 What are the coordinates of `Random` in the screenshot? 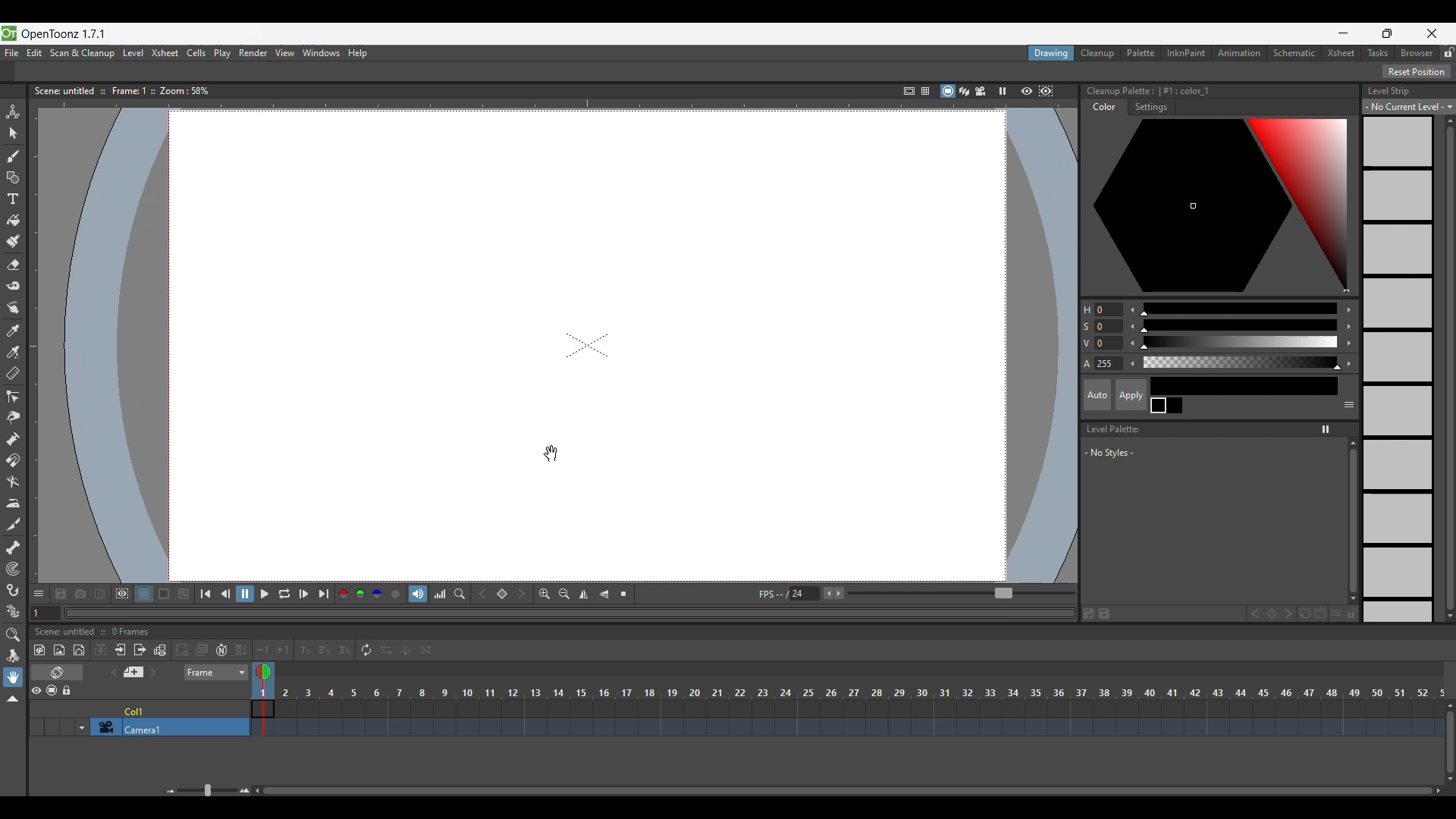 It's located at (425, 650).